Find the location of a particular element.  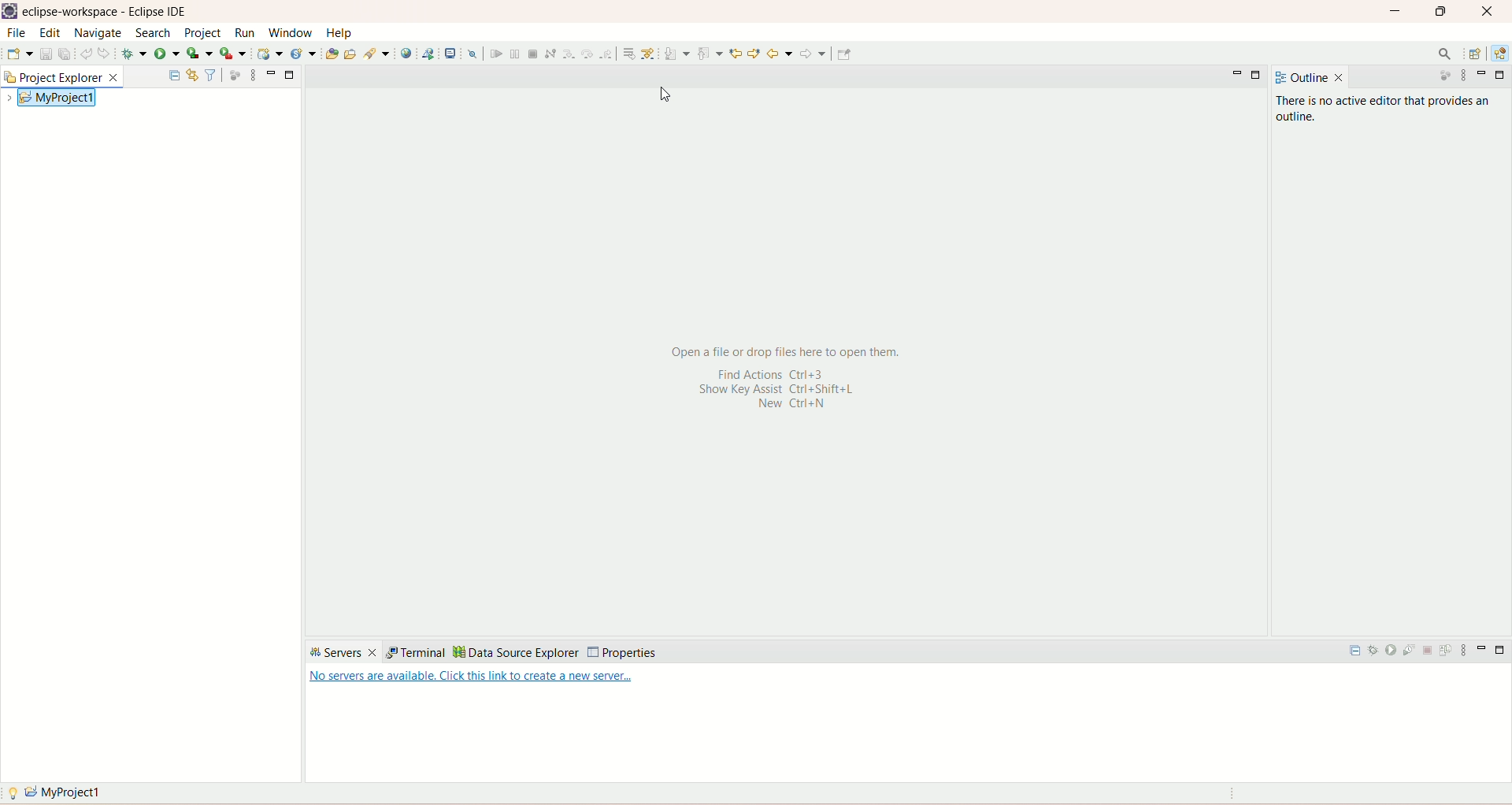

search is located at coordinates (1443, 53).